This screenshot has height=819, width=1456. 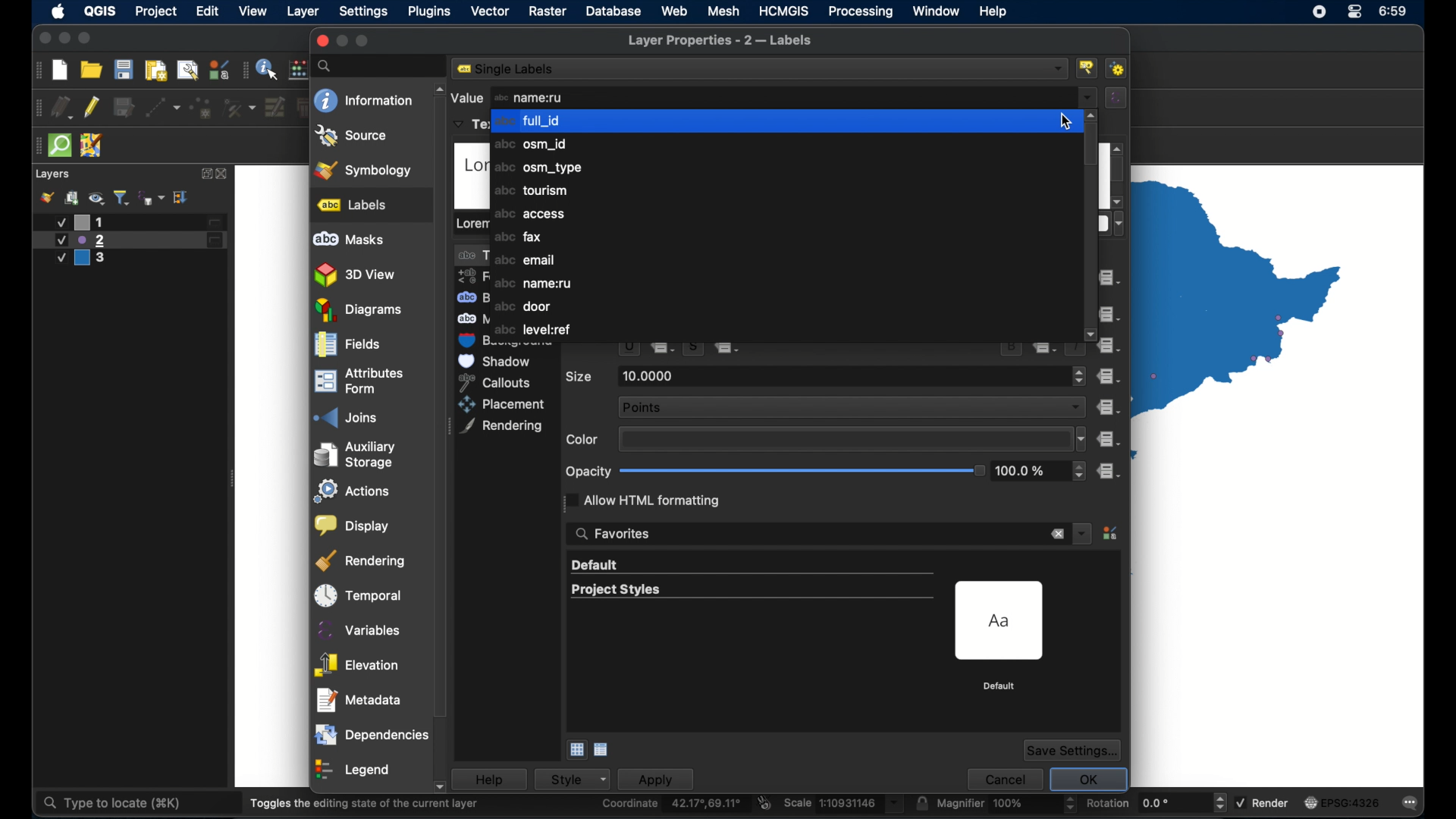 What do you see at coordinates (529, 98) in the screenshot?
I see `name:ru` at bounding box center [529, 98].